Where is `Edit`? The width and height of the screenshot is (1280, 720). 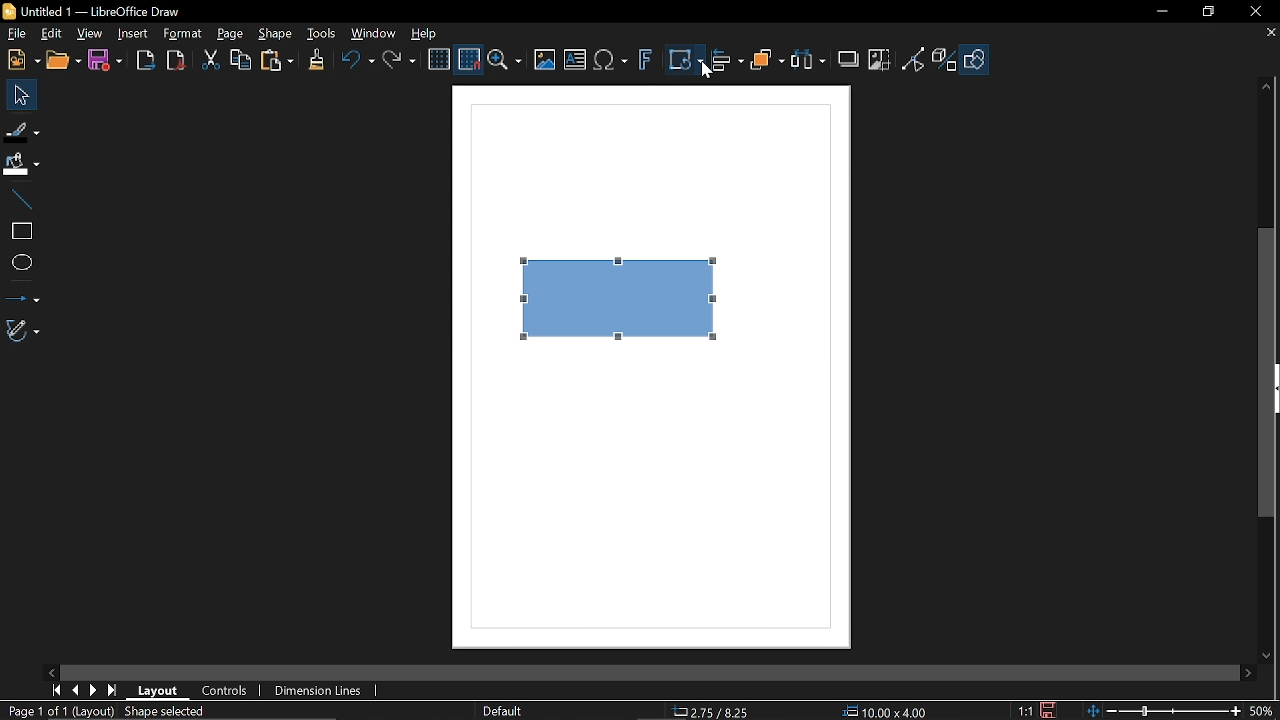 Edit is located at coordinates (50, 34).